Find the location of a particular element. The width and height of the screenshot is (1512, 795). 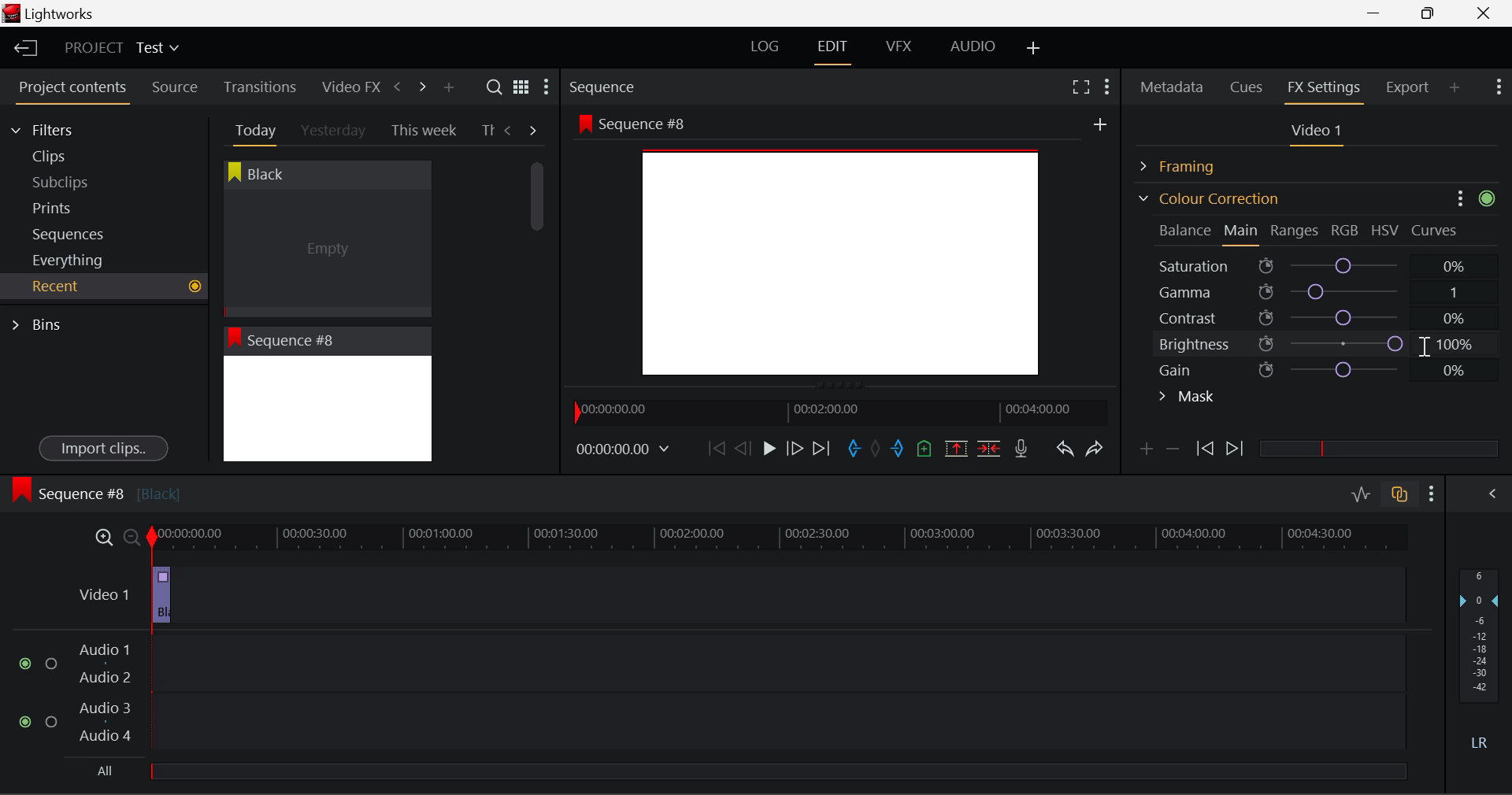

Today Tab Open is located at coordinates (252, 130).